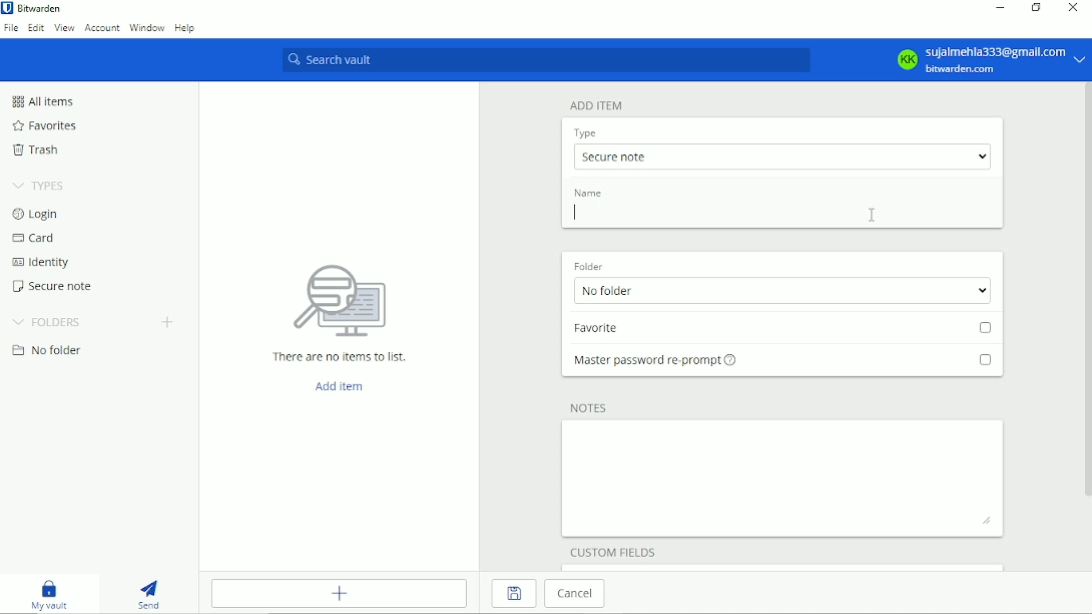  What do you see at coordinates (784, 478) in the screenshot?
I see `Add notes` at bounding box center [784, 478].